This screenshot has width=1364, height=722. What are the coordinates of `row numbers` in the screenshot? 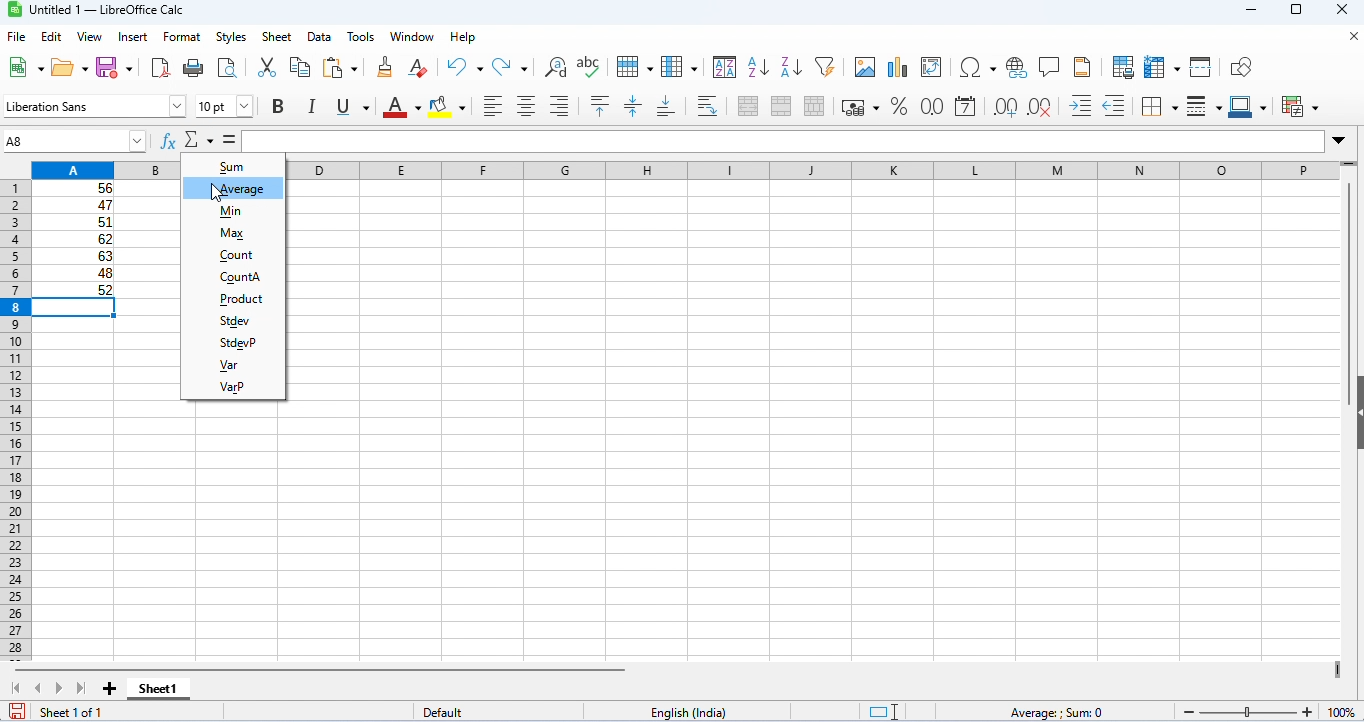 It's located at (12, 421).